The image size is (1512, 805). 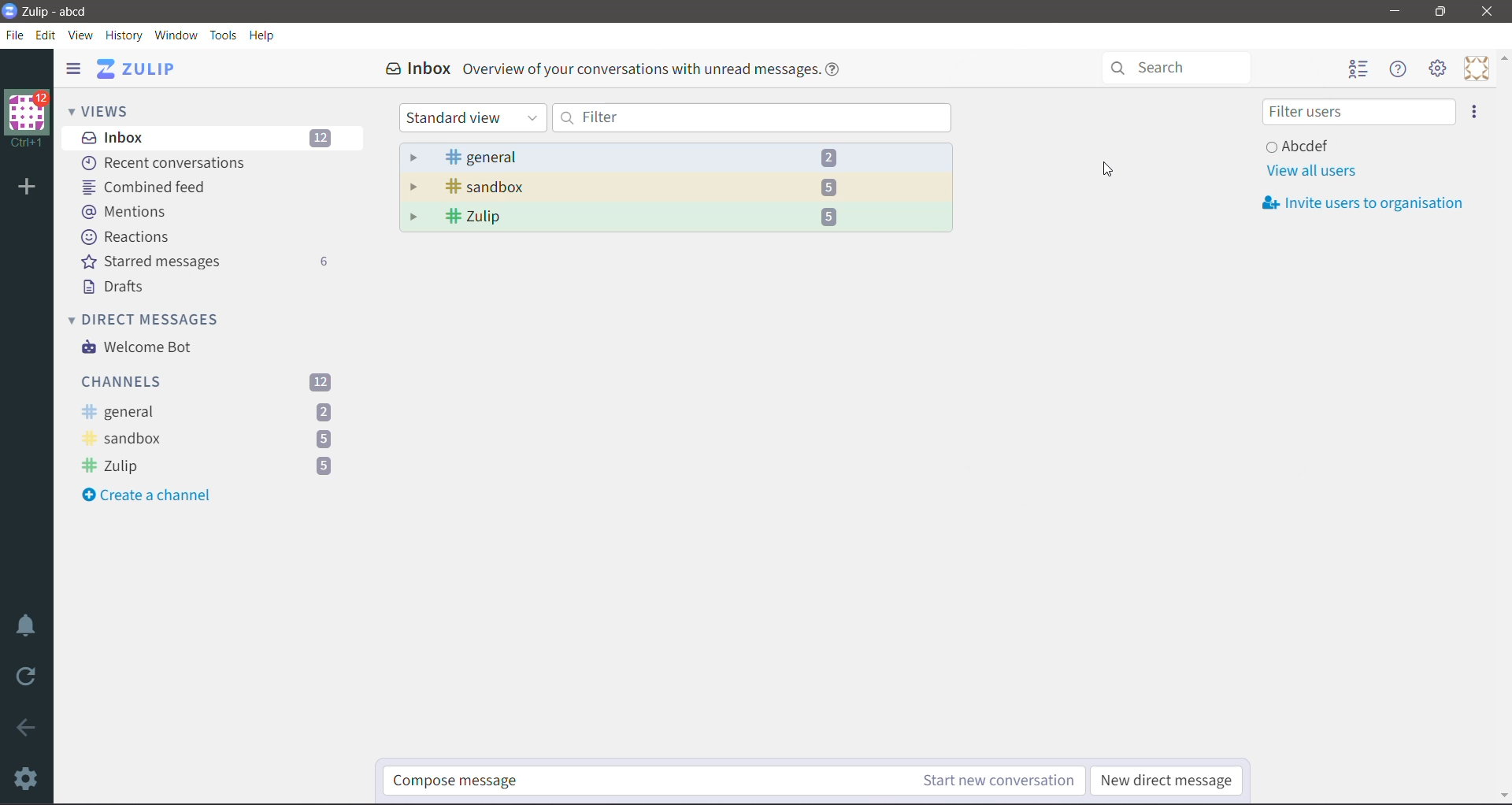 What do you see at coordinates (136, 348) in the screenshot?
I see `Welcome Bot` at bounding box center [136, 348].